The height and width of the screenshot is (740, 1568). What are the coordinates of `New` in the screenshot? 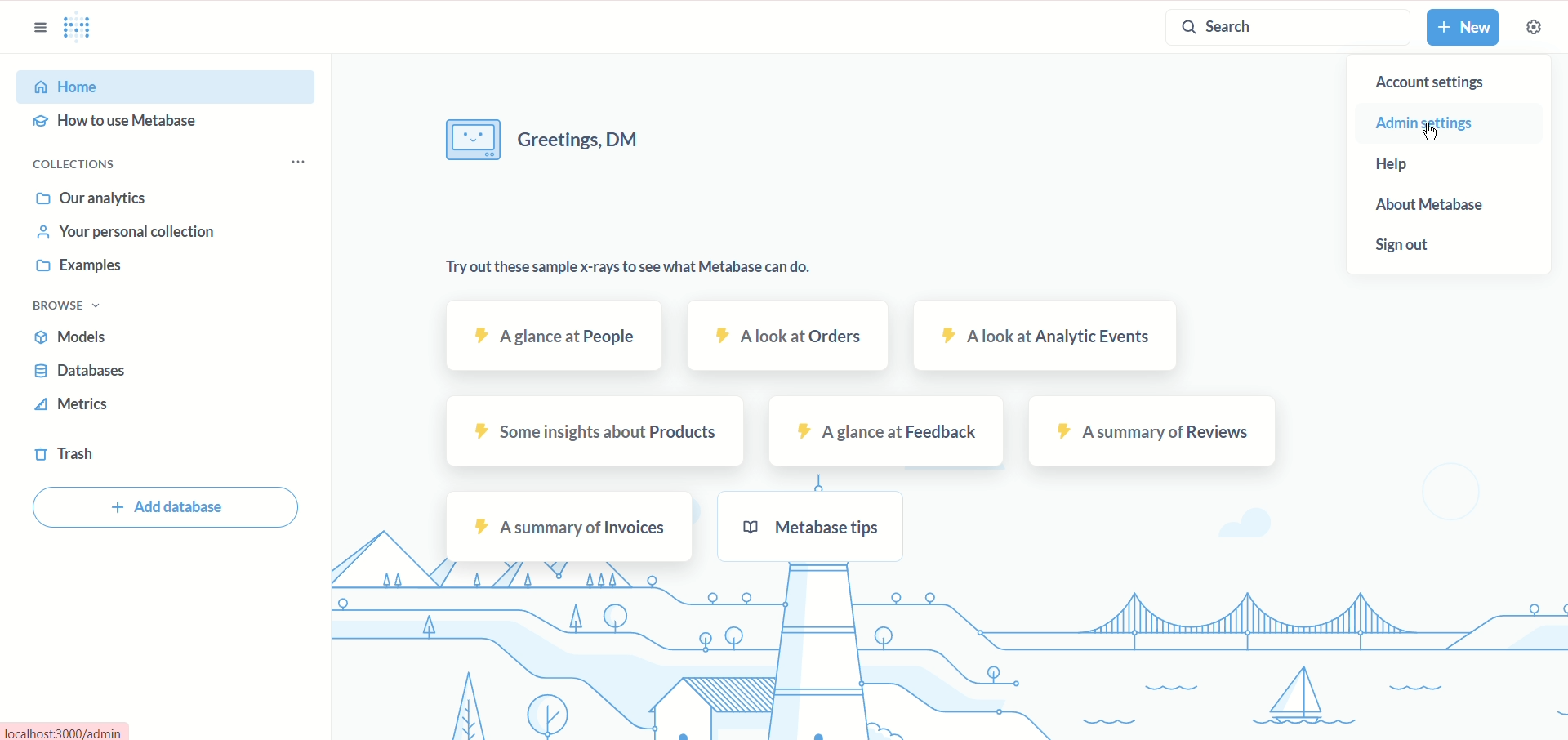 It's located at (1466, 28).